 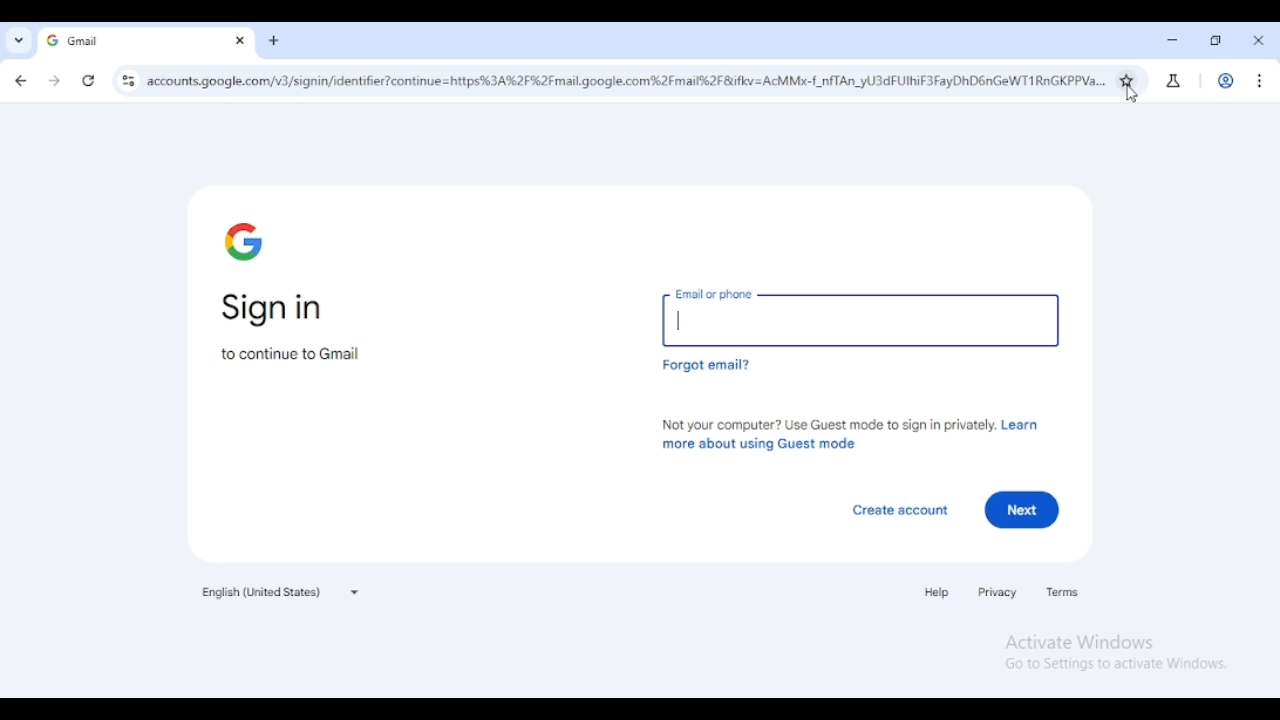 I want to click on click to go forward, so click(x=54, y=82).